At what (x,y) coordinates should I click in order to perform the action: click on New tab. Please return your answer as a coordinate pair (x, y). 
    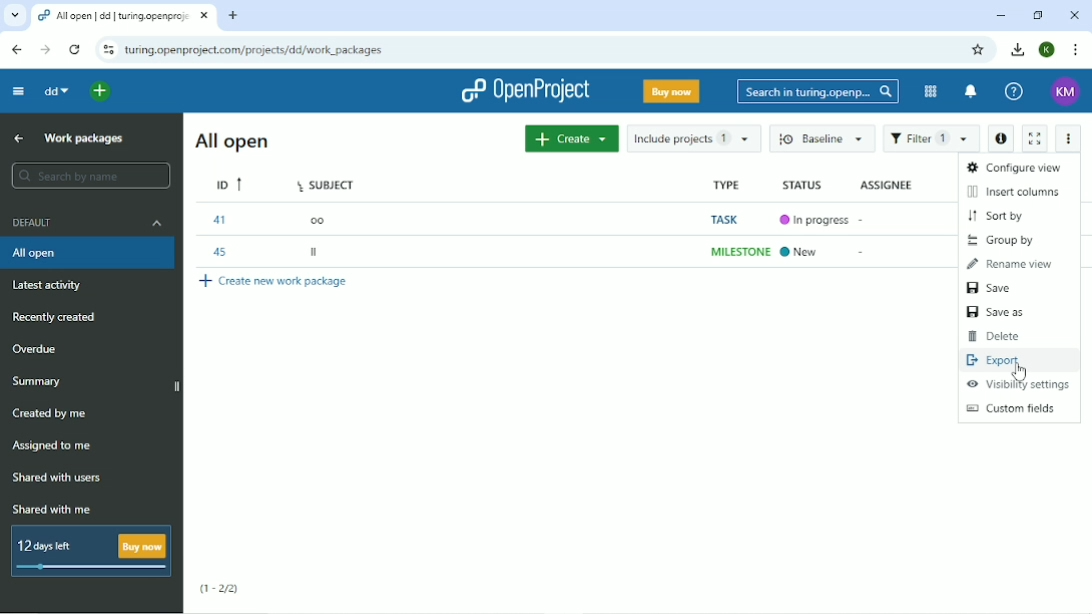
    Looking at the image, I should click on (232, 15).